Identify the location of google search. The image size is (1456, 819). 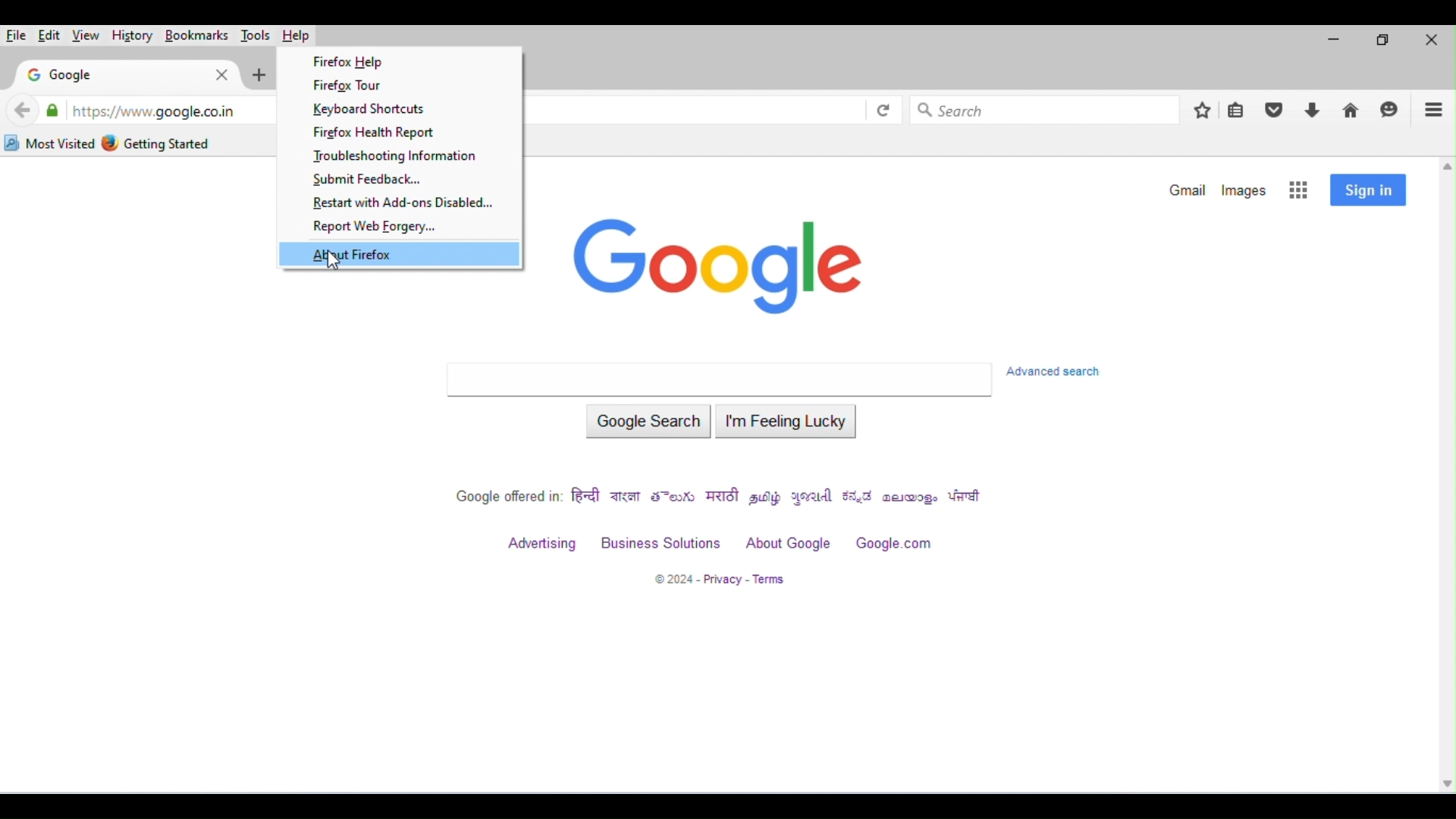
(648, 423).